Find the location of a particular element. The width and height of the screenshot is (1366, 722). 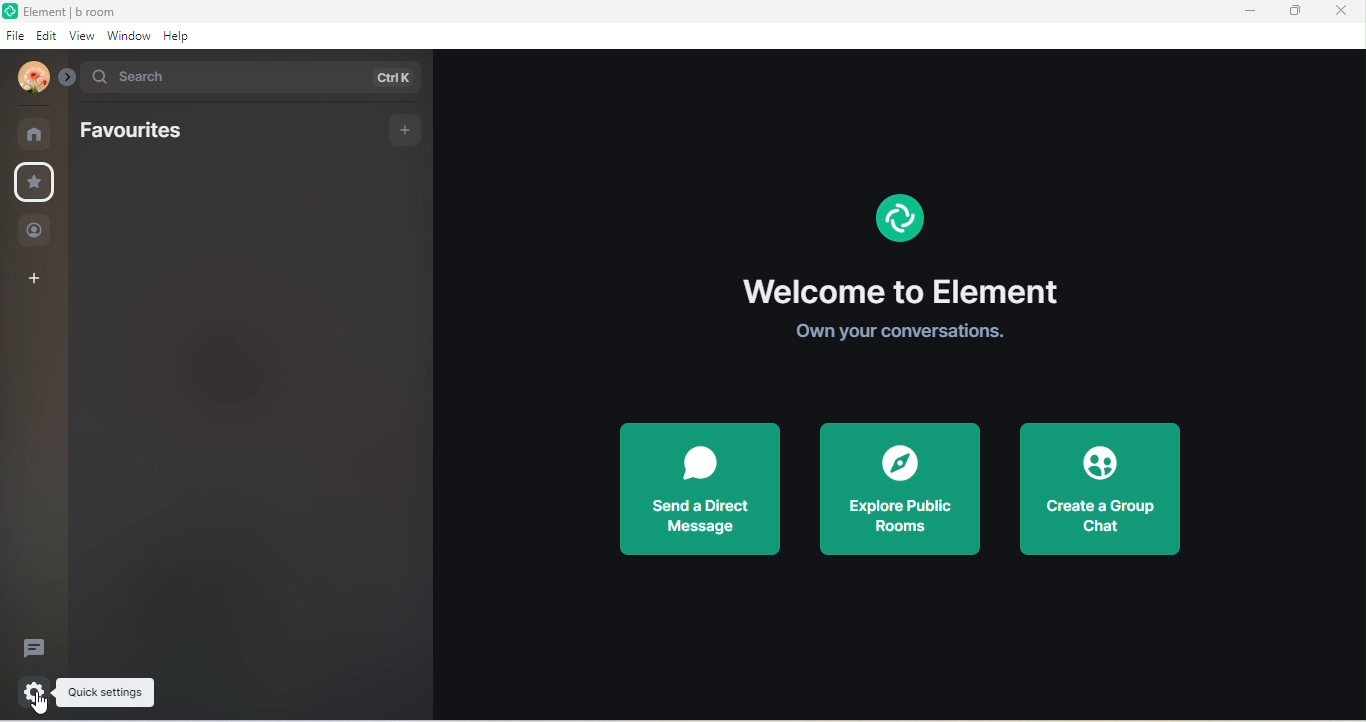

element logo is located at coordinates (900, 219).